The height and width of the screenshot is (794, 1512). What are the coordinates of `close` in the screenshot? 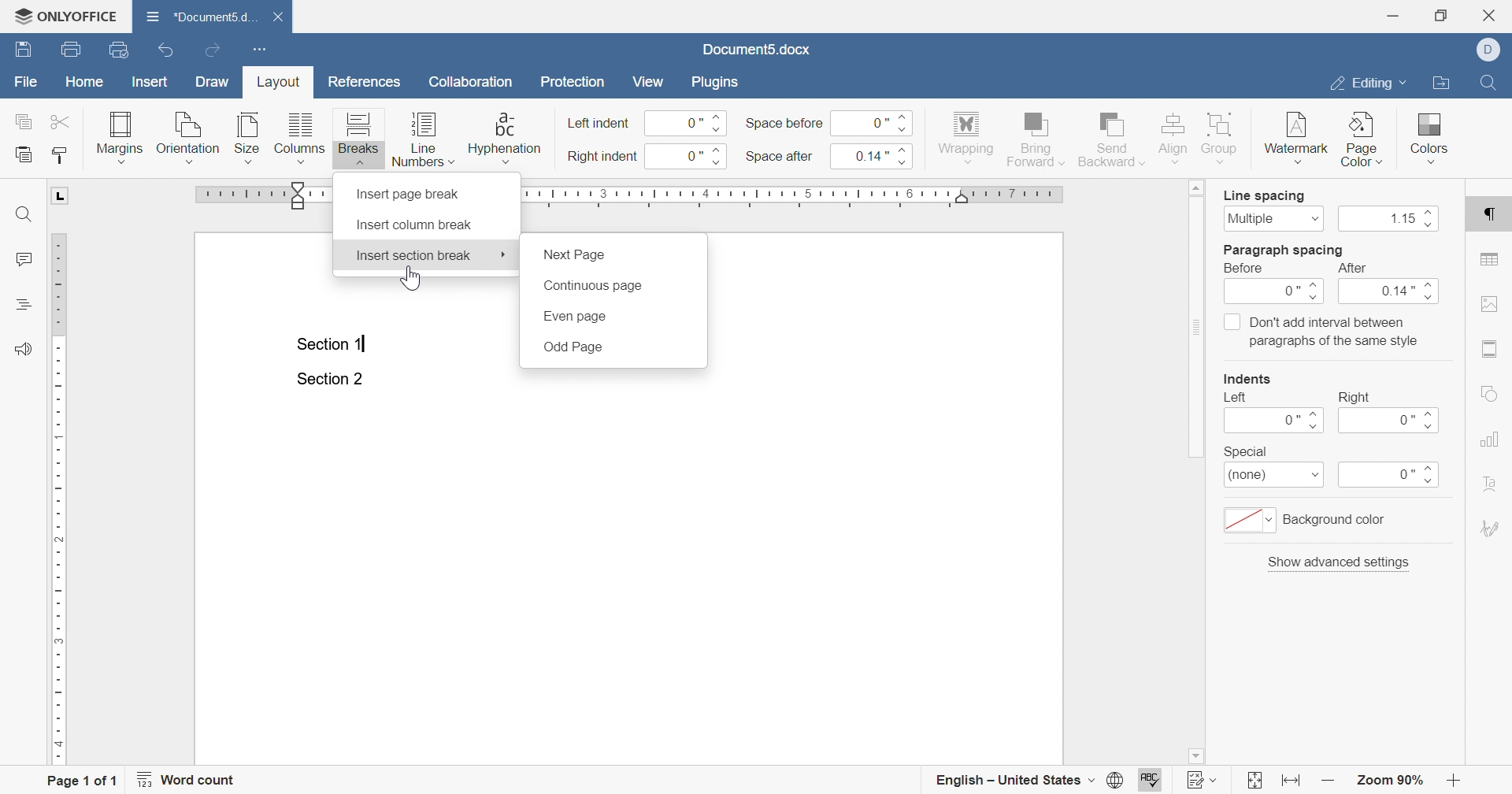 It's located at (277, 17).